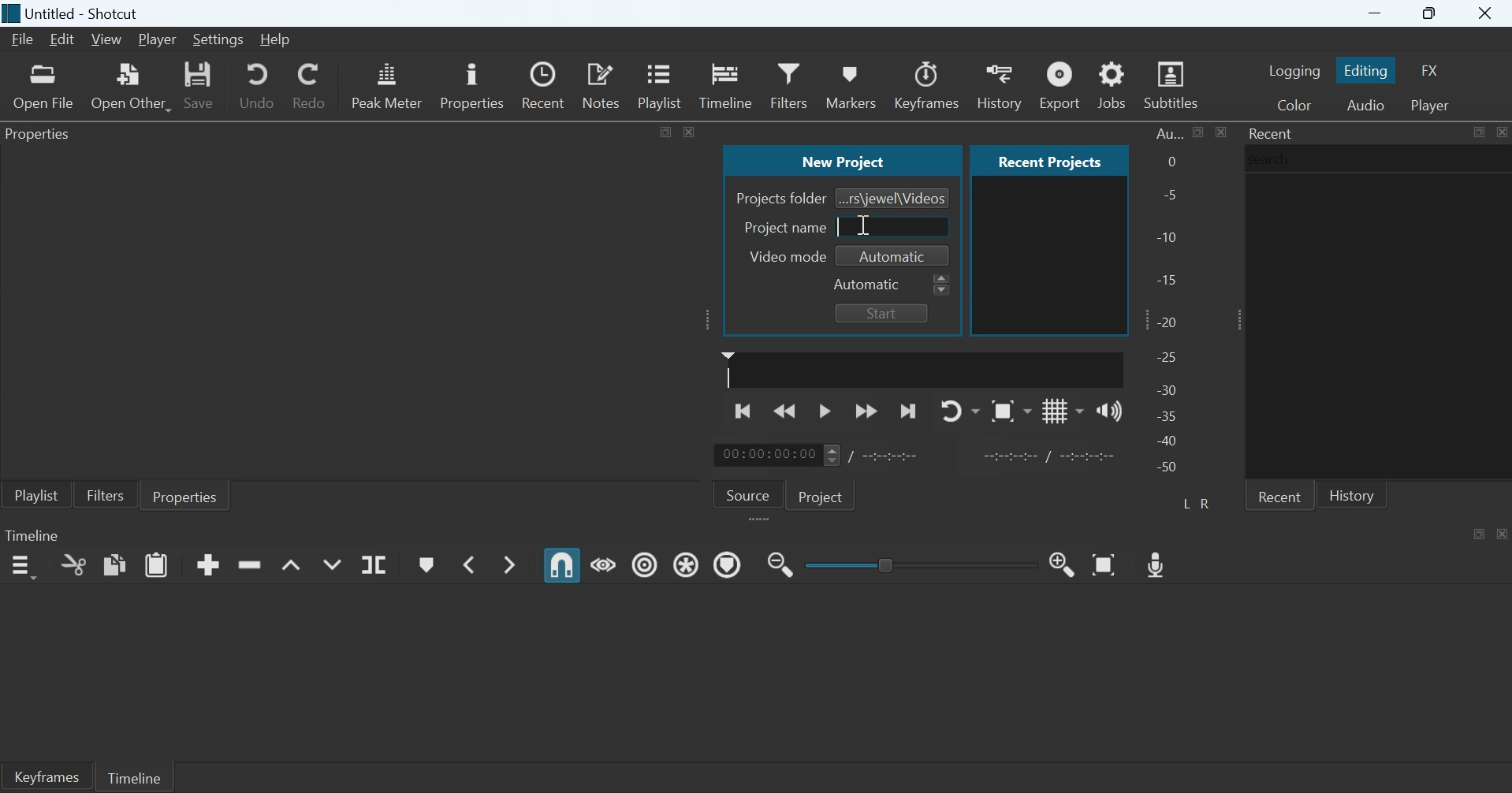 Image resolution: width=1512 pixels, height=793 pixels. Describe the element at coordinates (907, 412) in the screenshot. I see `Skip to the next point` at that location.